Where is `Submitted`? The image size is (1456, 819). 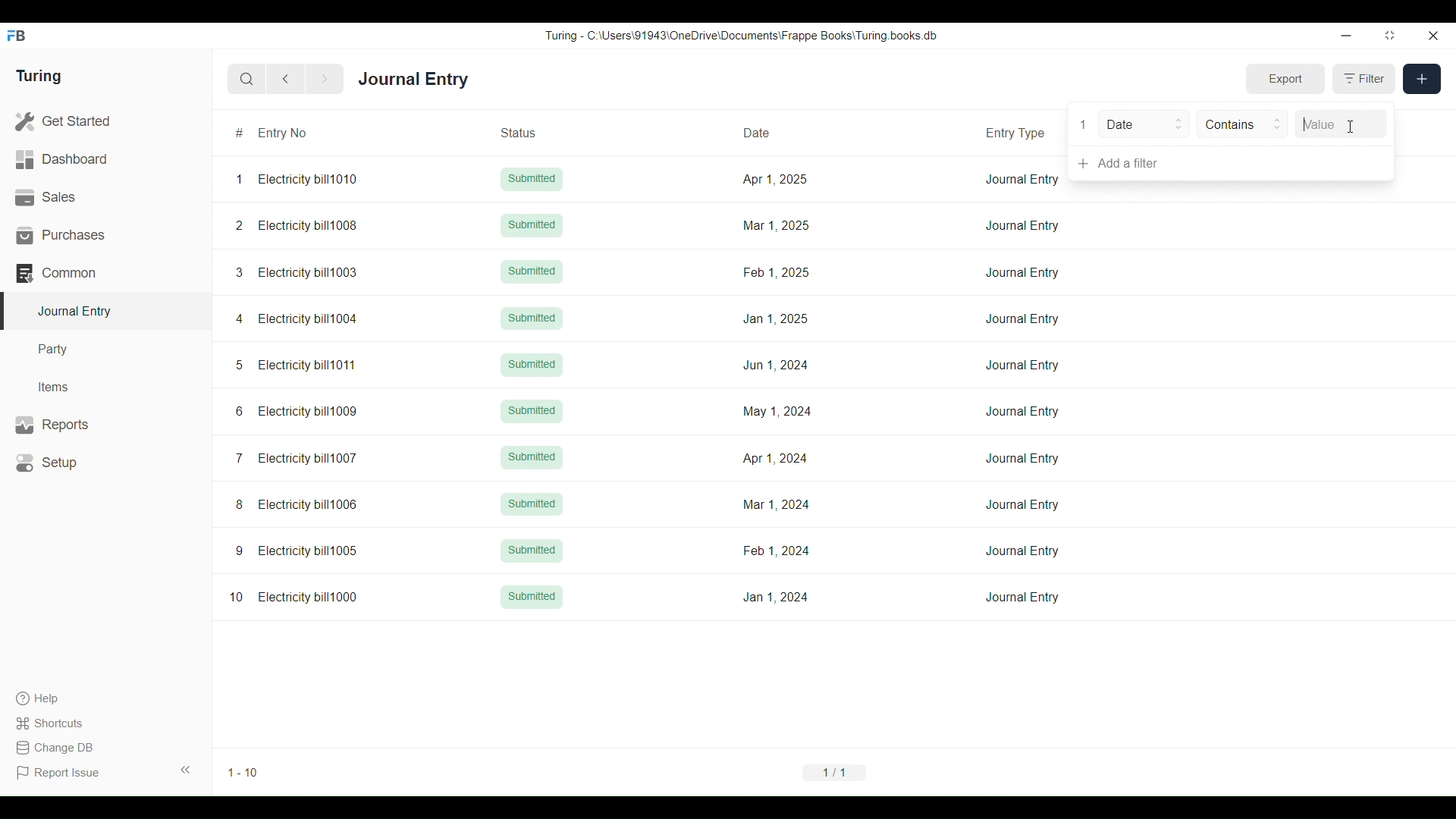
Submitted is located at coordinates (532, 457).